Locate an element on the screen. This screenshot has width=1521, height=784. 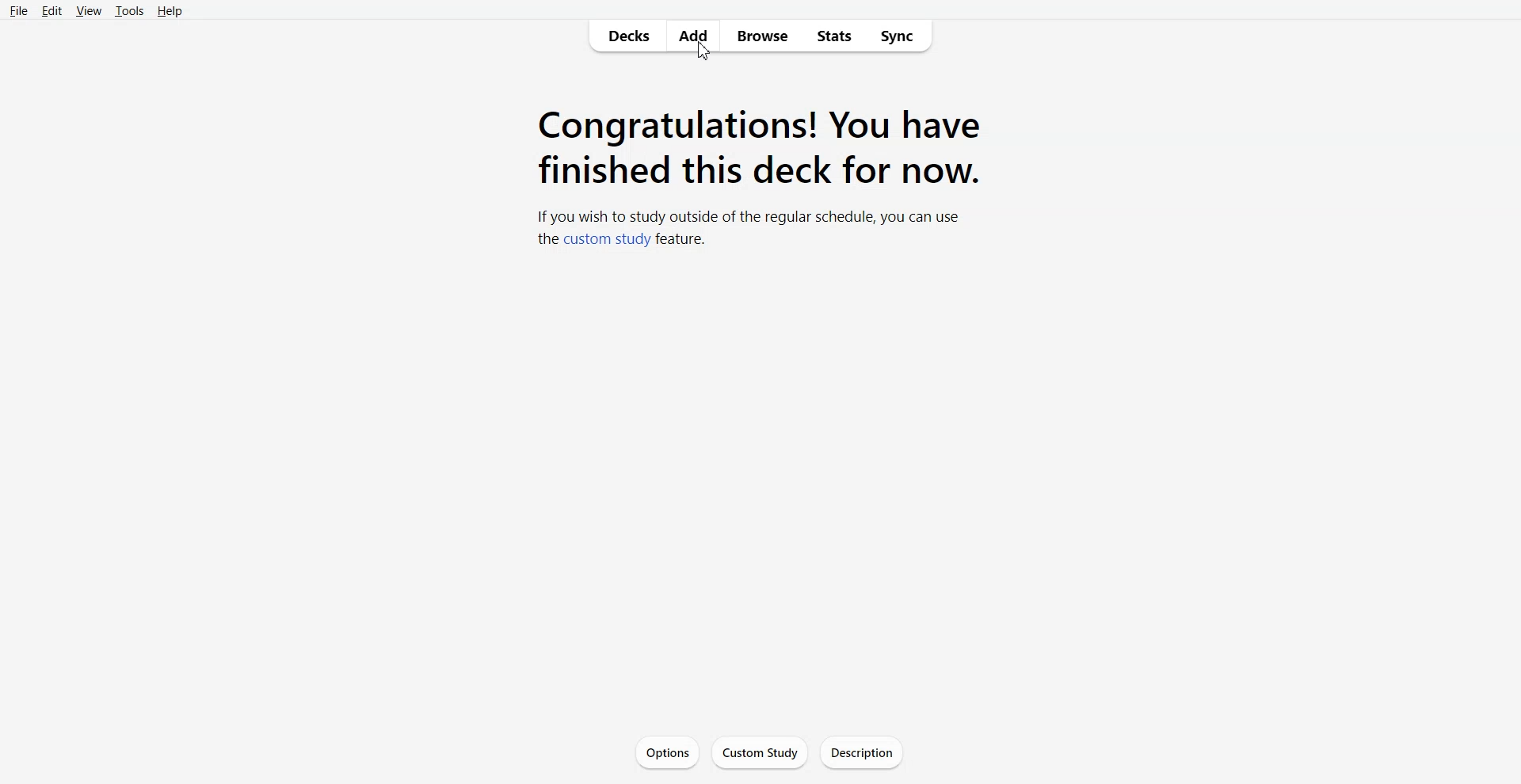
feature is located at coordinates (688, 238).